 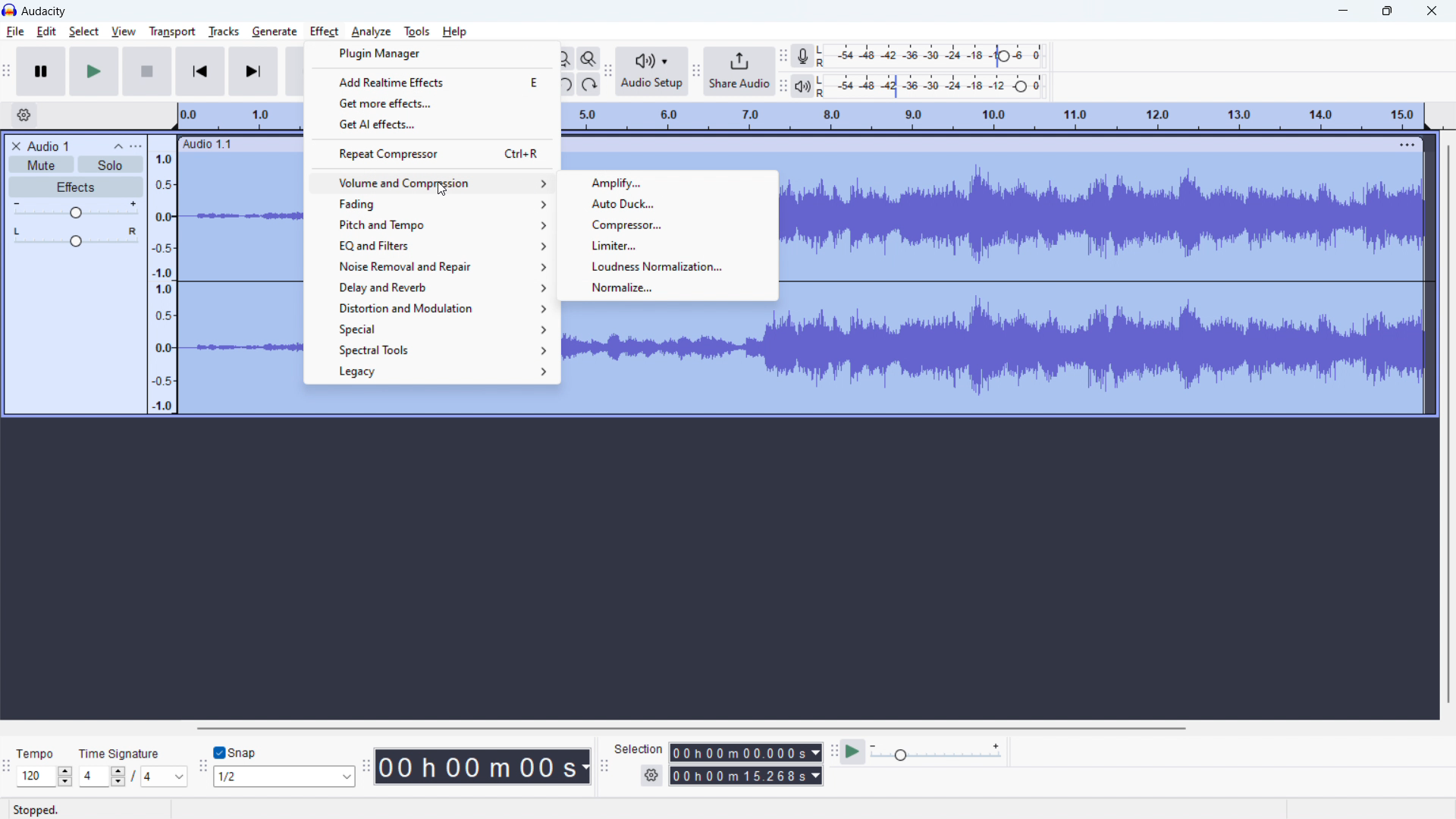 I want to click on legacy, so click(x=429, y=372).